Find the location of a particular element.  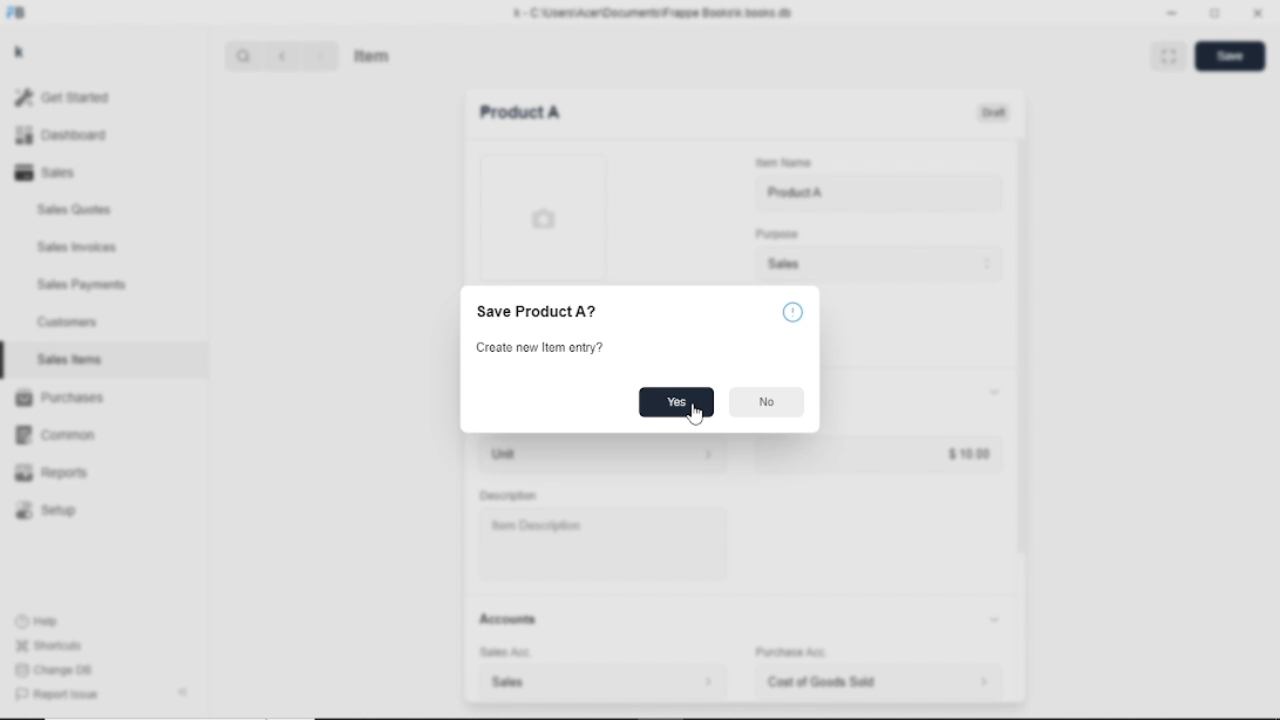

Accounts is located at coordinates (743, 619).